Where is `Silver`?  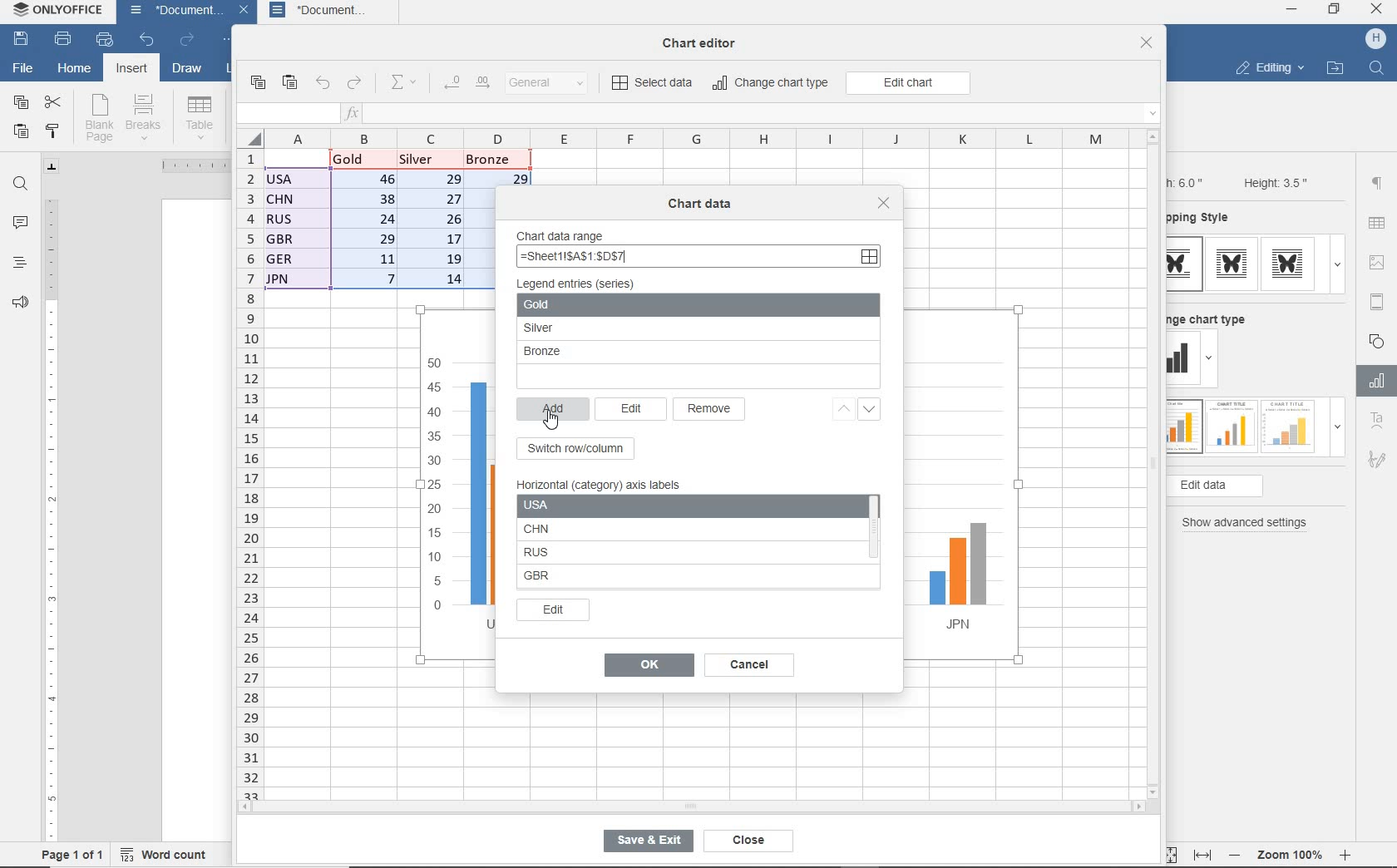
Silver is located at coordinates (612, 328).